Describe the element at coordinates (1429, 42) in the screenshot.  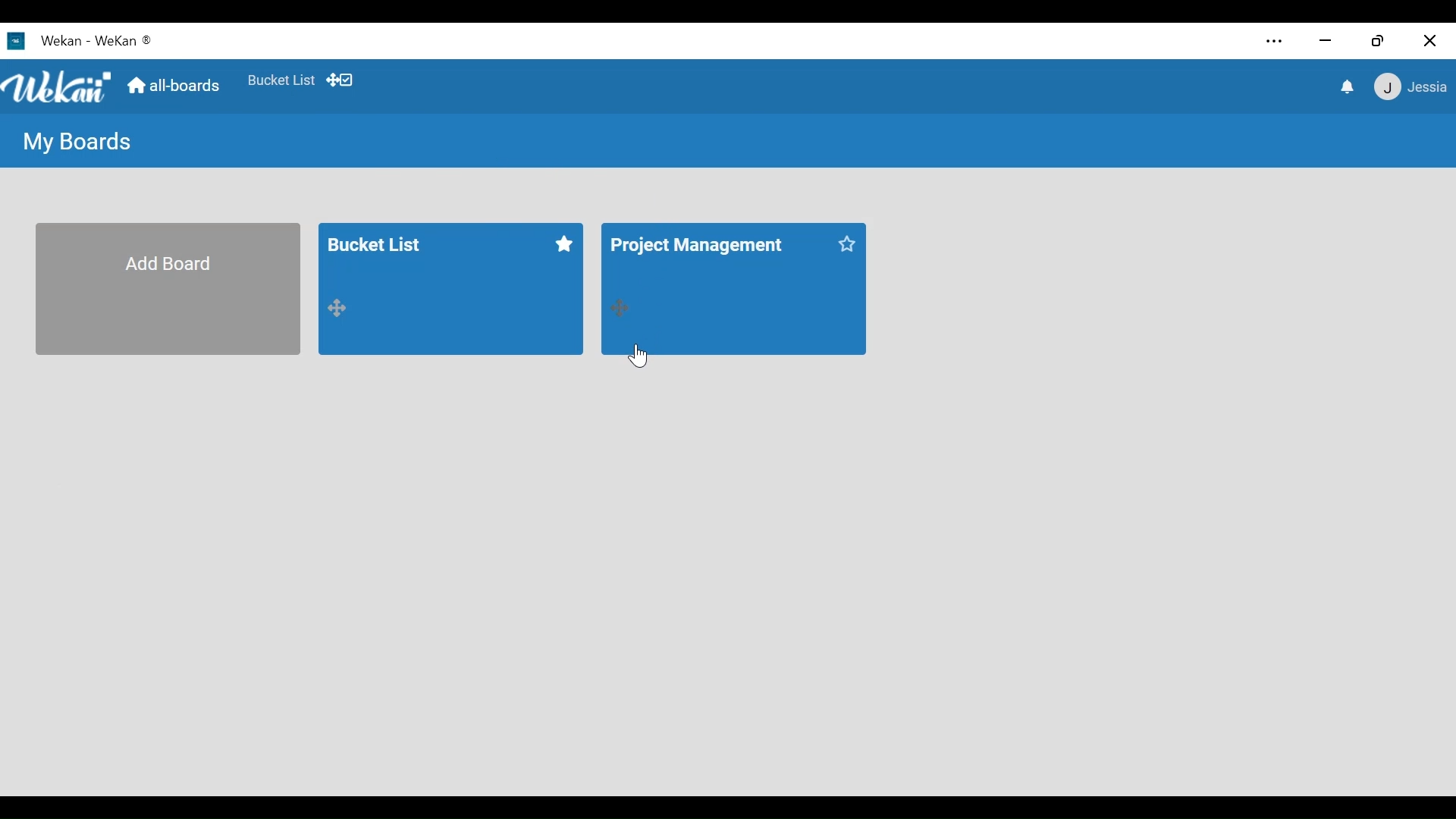
I see `close` at that location.